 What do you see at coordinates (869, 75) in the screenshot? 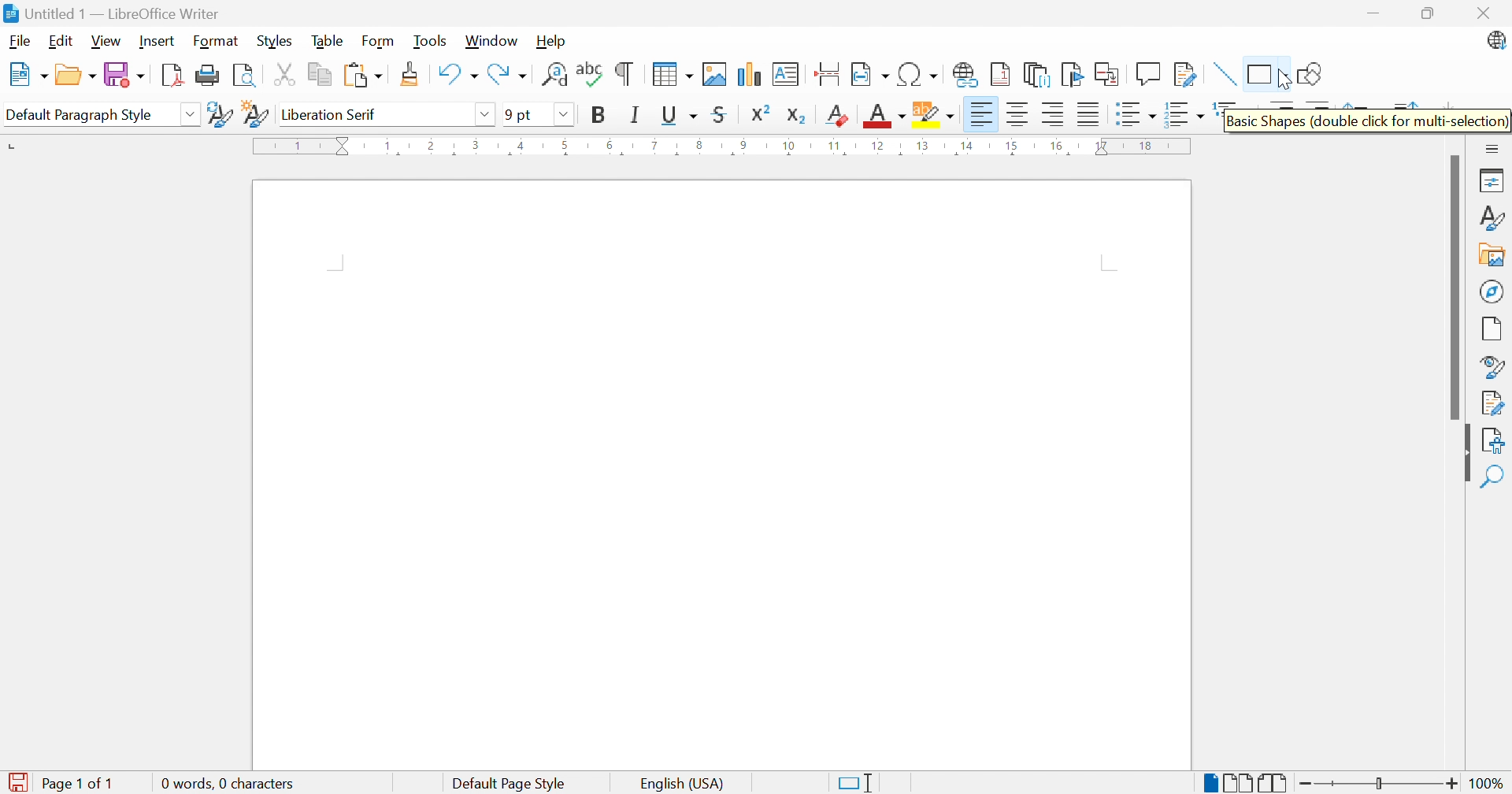
I see `Insert field` at bounding box center [869, 75].